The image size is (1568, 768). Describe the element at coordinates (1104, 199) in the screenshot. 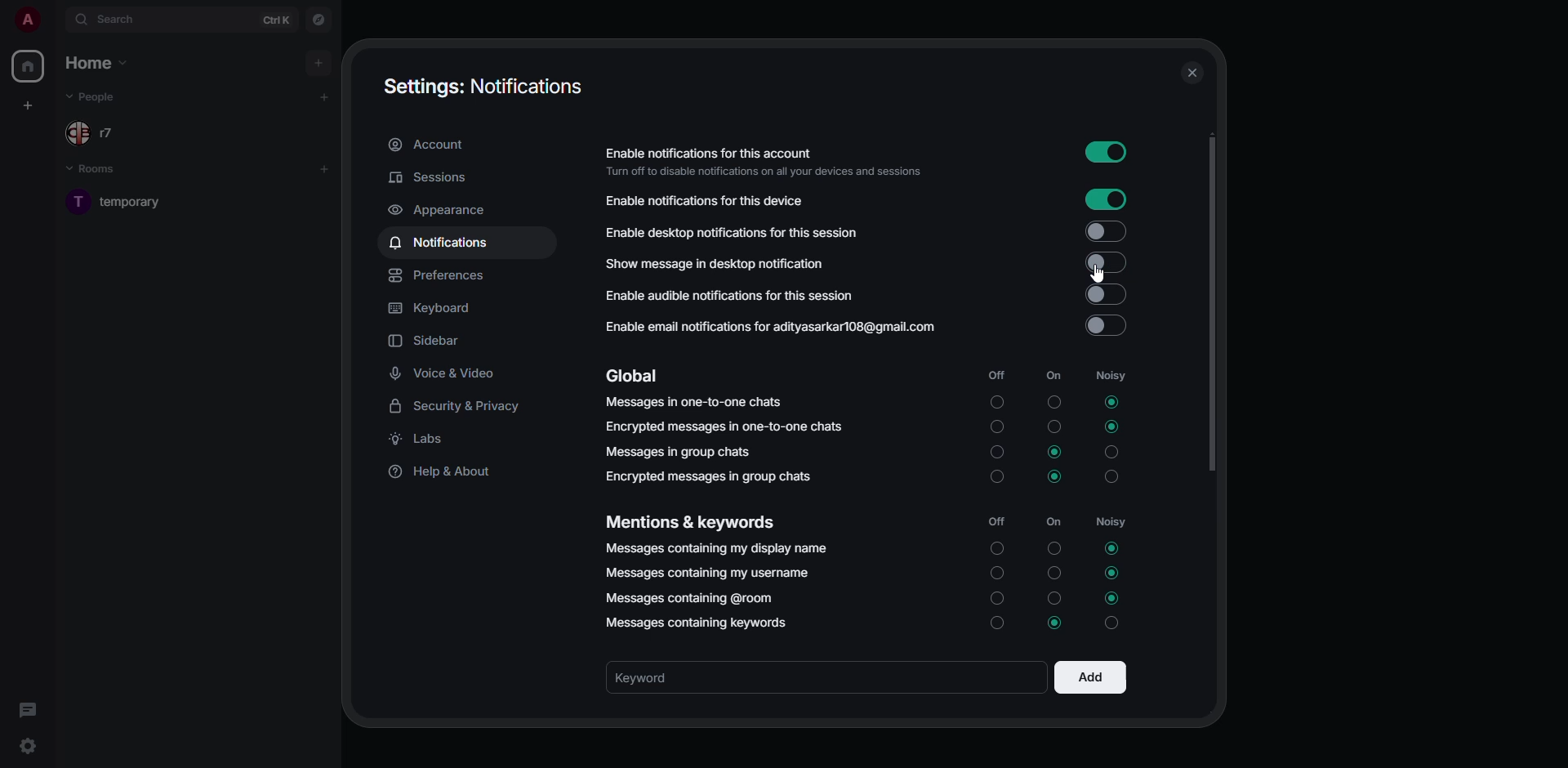

I see `` at that location.